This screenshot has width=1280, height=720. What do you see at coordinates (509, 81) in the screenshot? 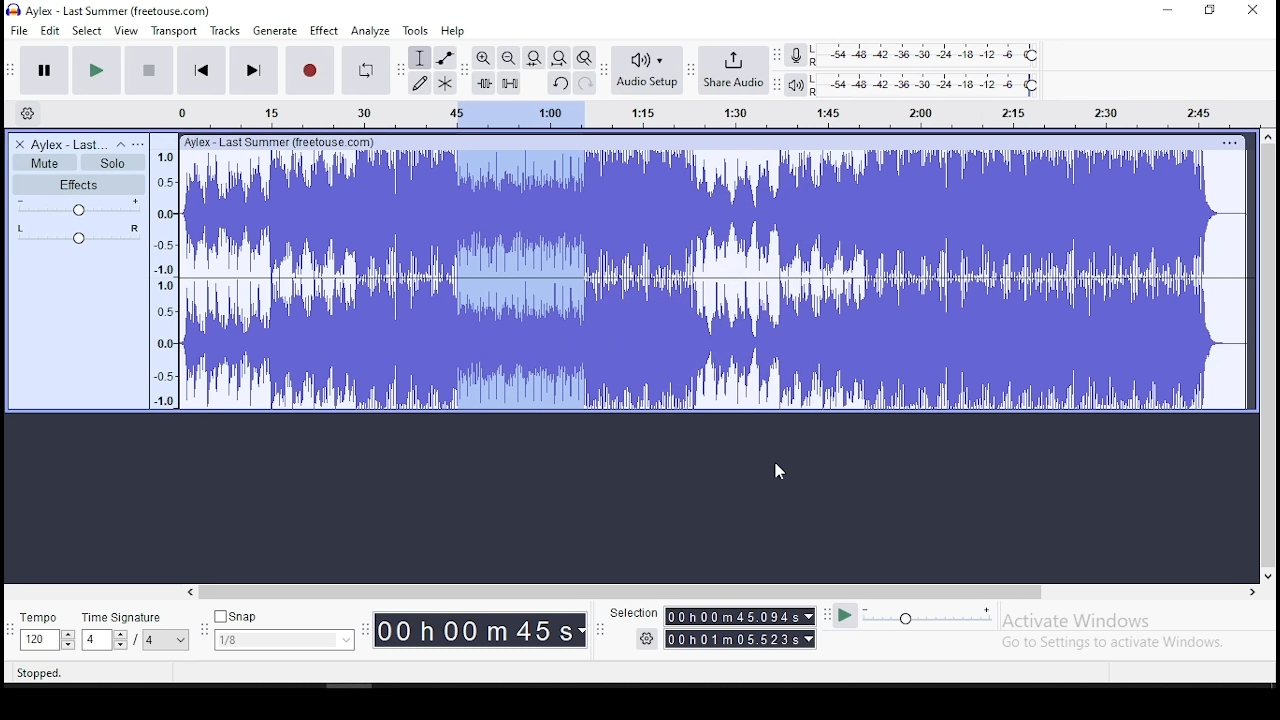
I see `silence audio signal` at bounding box center [509, 81].